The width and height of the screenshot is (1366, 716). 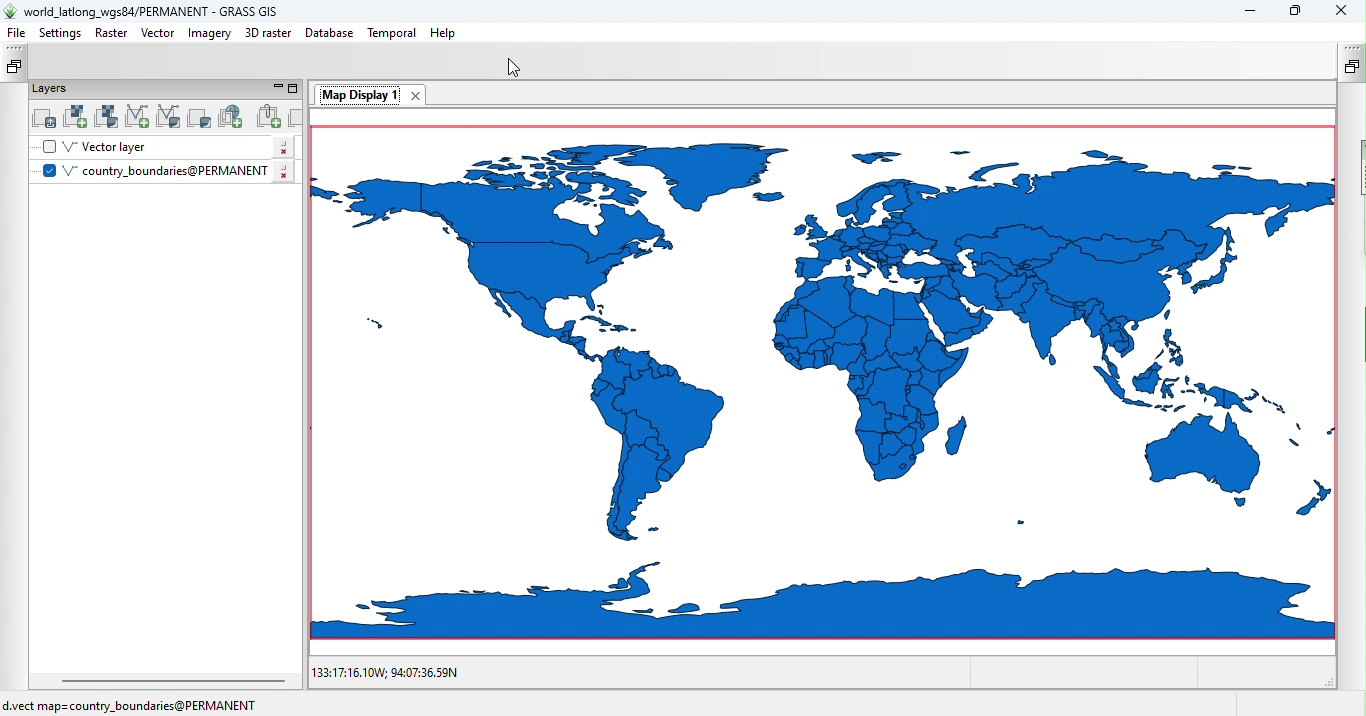 What do you see at coordinates (75, 116) in the screenshot?
I see `Add raster map layer` at bounding box center [75, 116].